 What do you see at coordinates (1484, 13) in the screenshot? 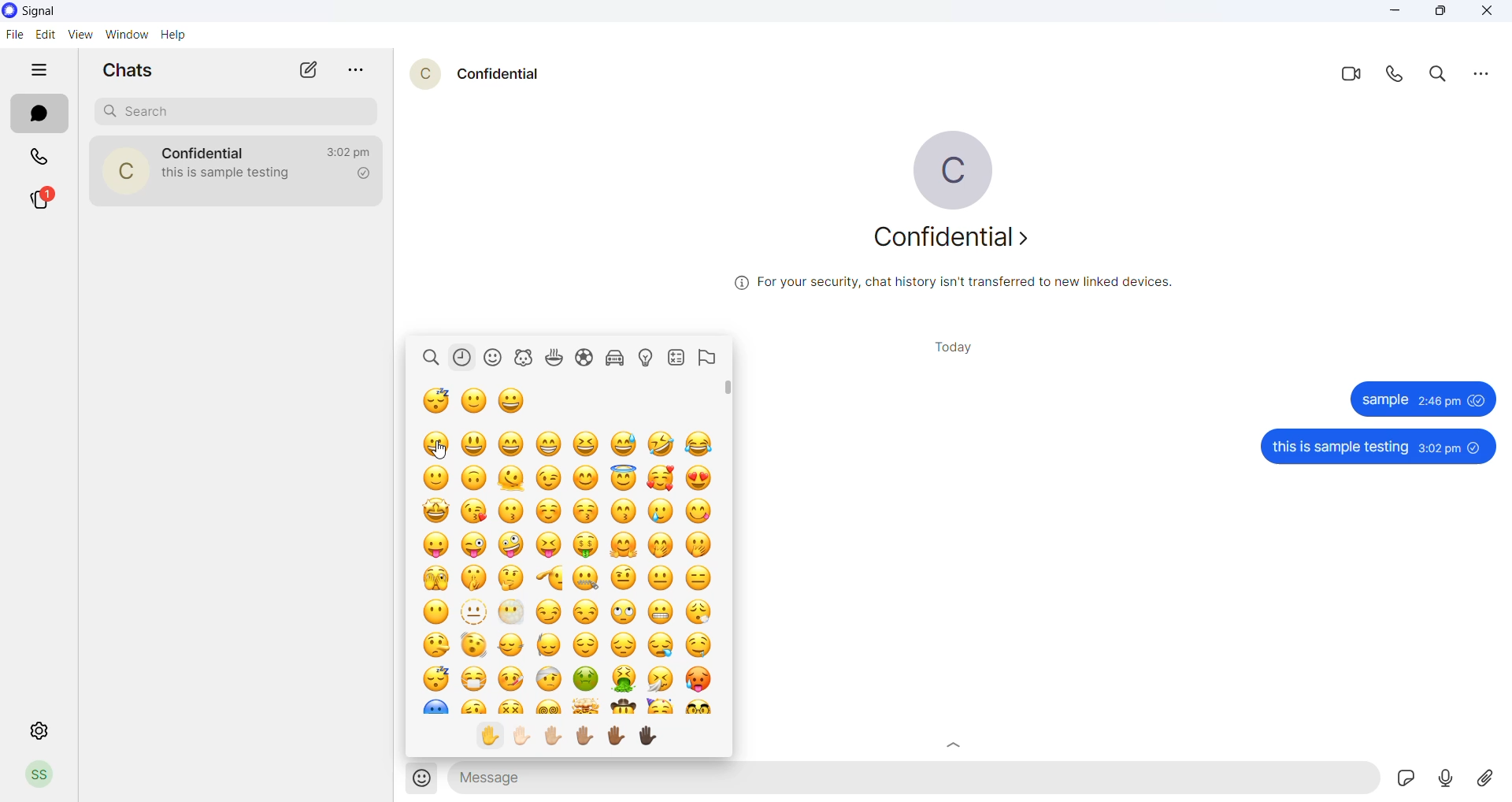
I see `close` at bounding box center [1484, 13].